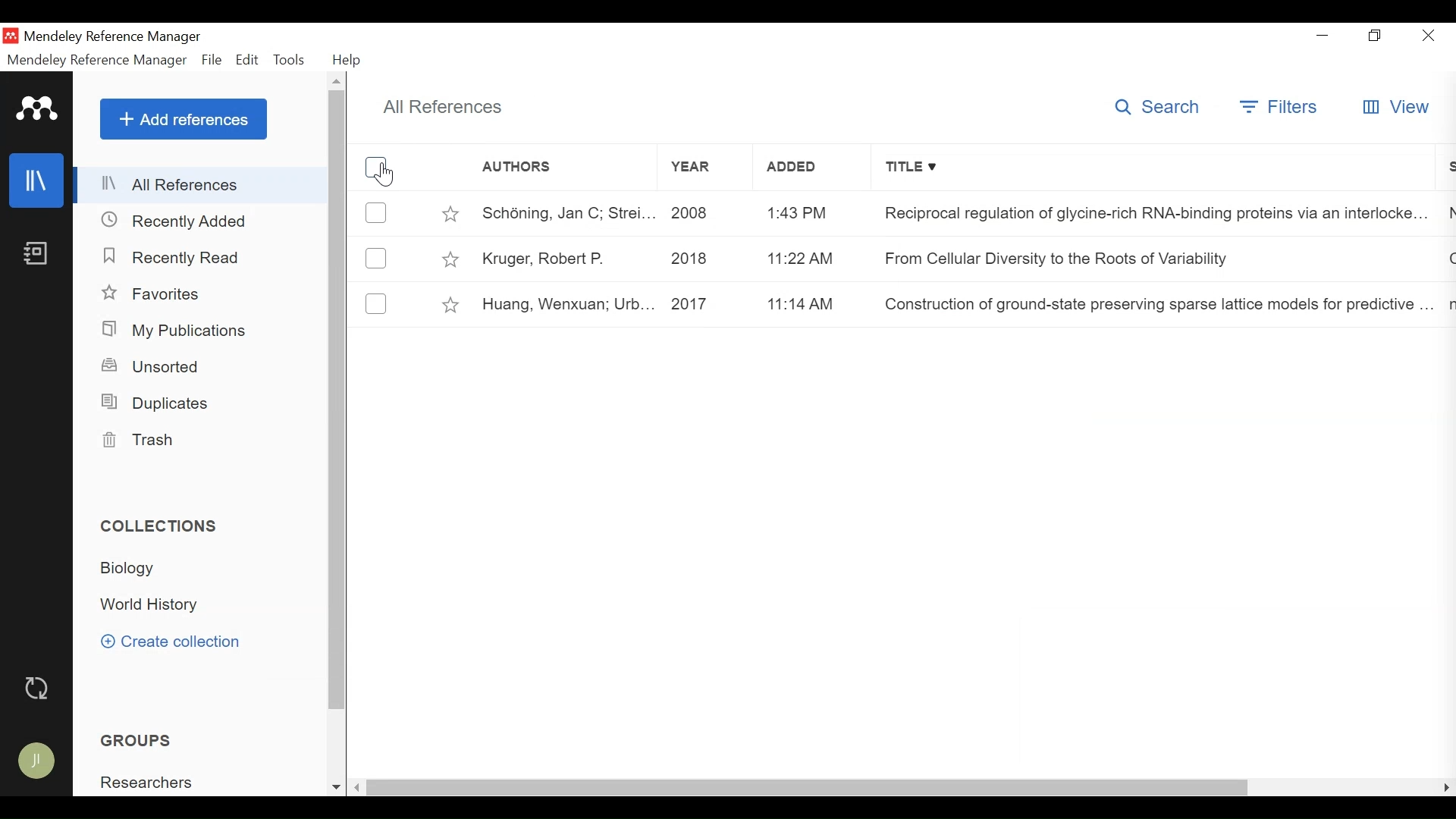  Describe the element at coordinates (156, 403) in the screenshot. I see `Duplicates` at that location.